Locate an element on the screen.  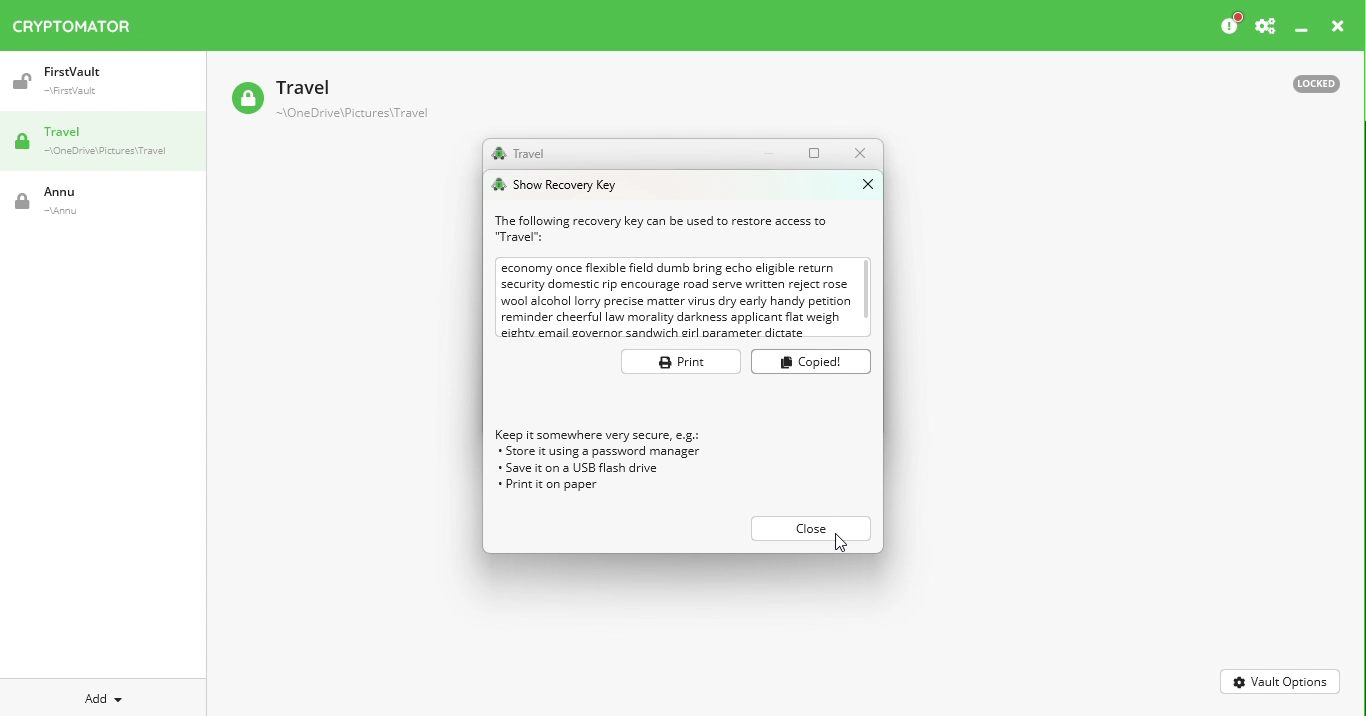
Vault is located at coordinates (85, 201).